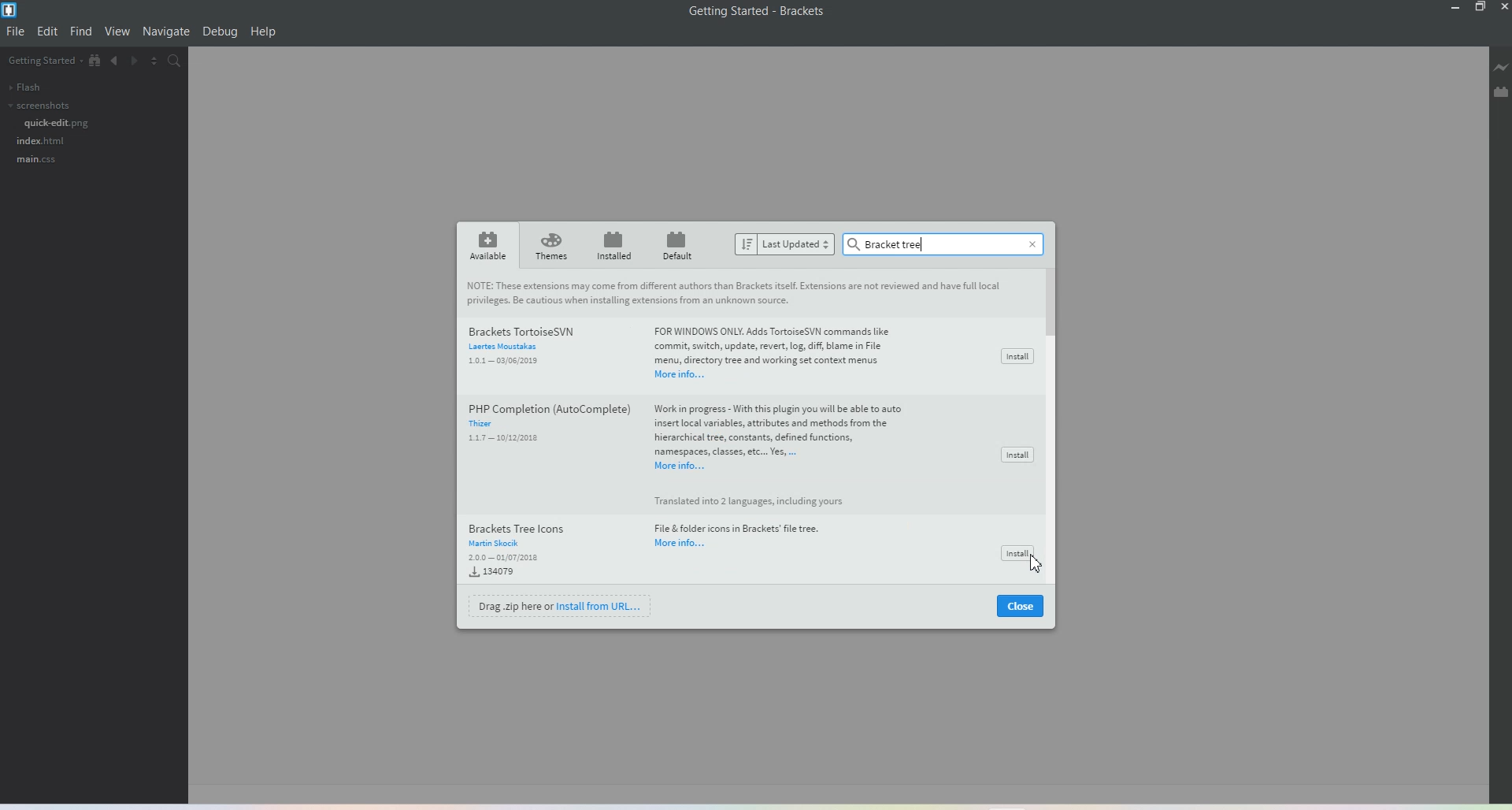 The image size is (1512, 810). I want to click on Install, so click(1016, 356).